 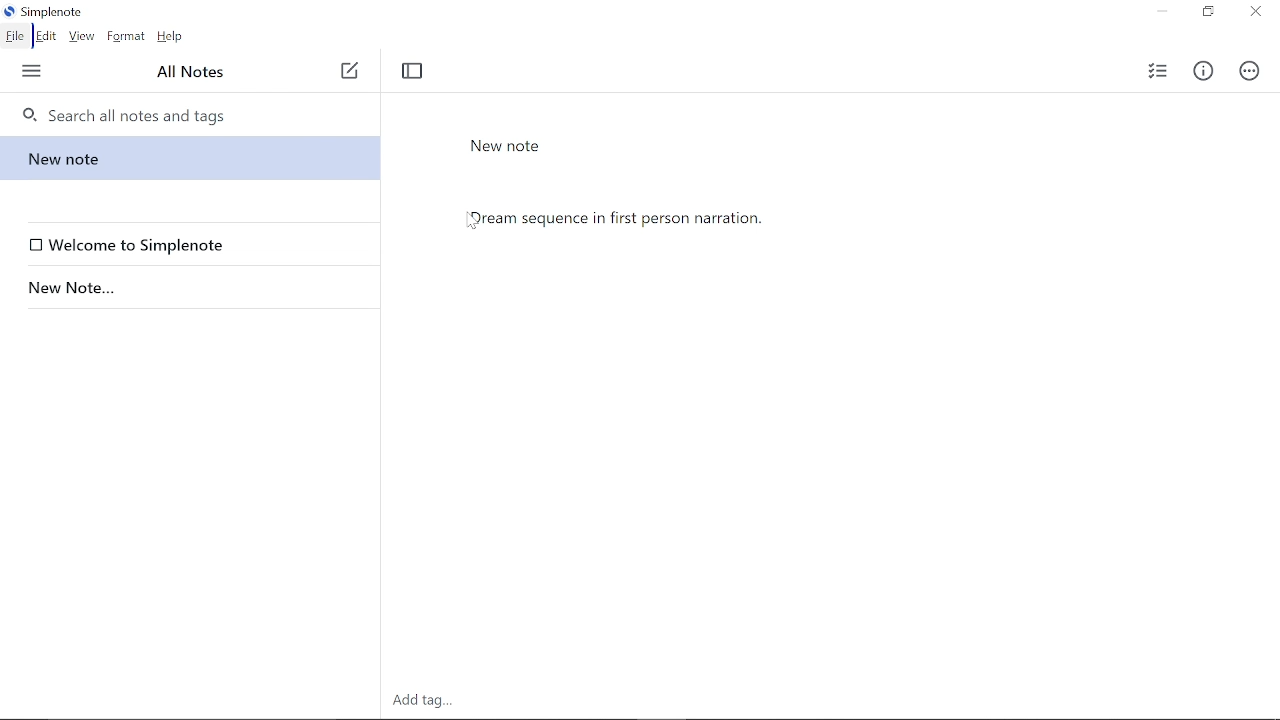 I want to click on Toggle focus mode, so click(x=413, y=74).